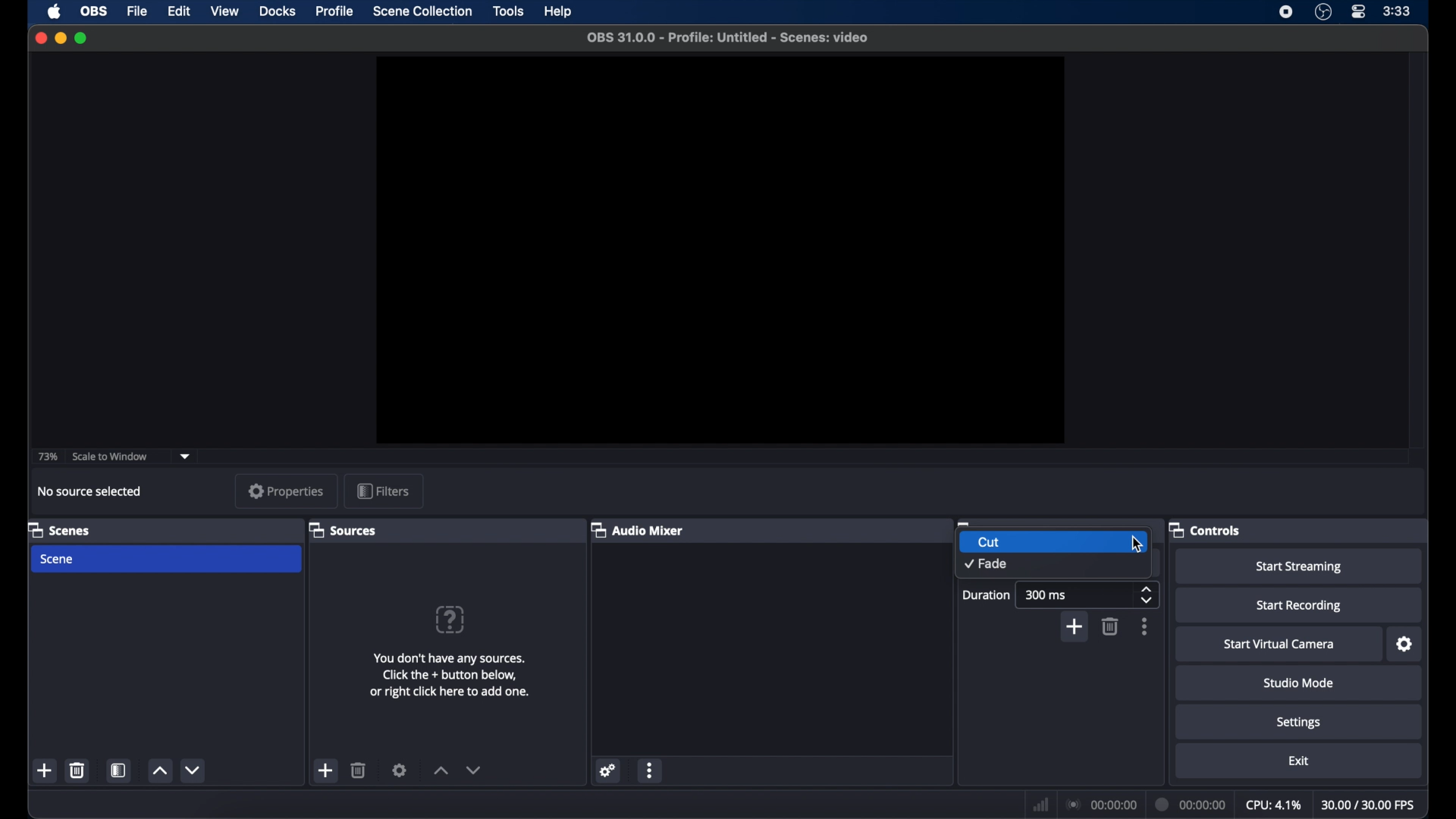  What do you see at coordinates (138, 11) in the screenshot?
I see `file` at bounding box center [138, 11].